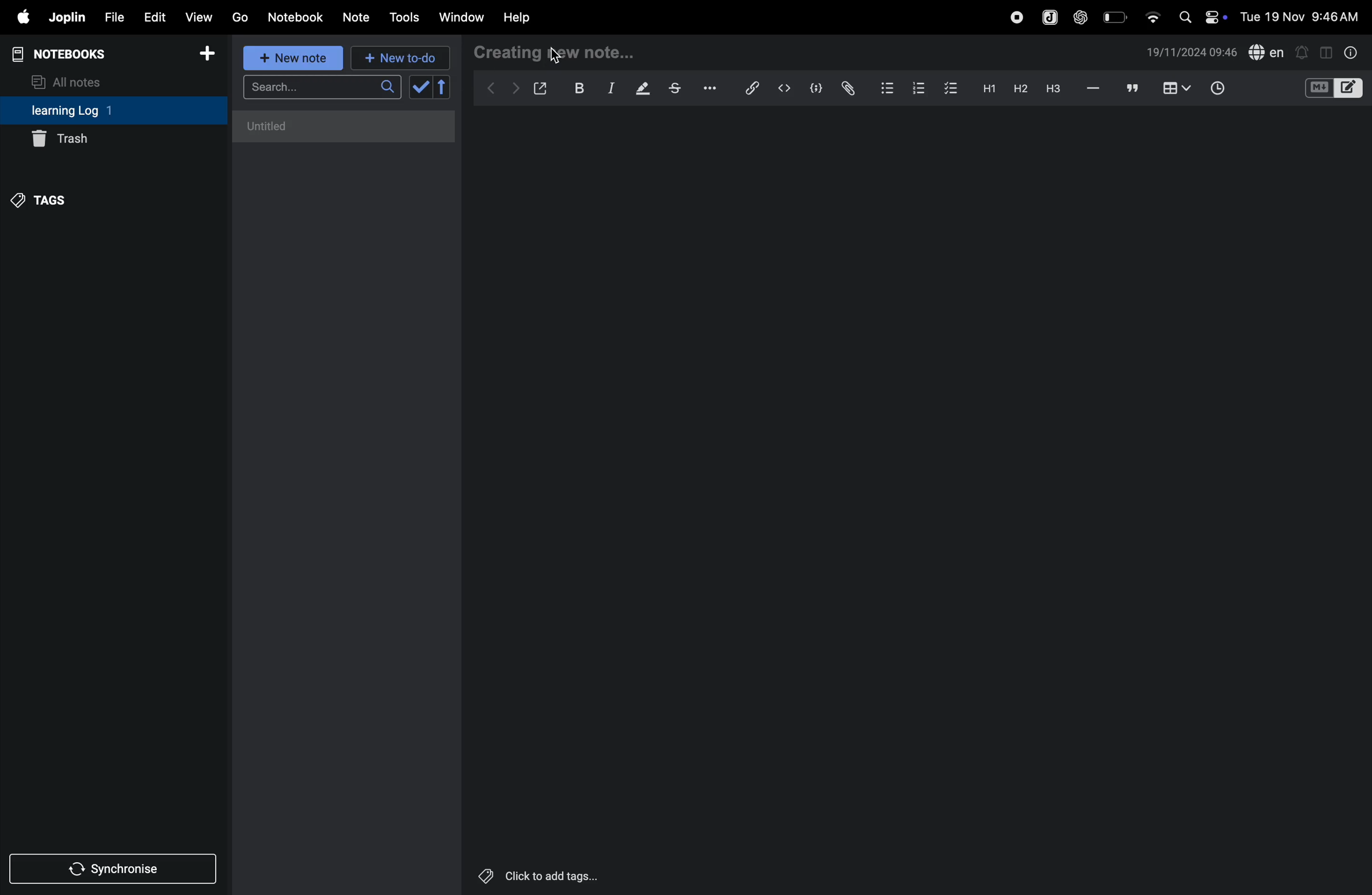 The height and width of the screenshot is (895, 1372). What do you see at coordinates (949, 87) in the screenshot?
I see `checkbox` at bounding box center [949, 87].